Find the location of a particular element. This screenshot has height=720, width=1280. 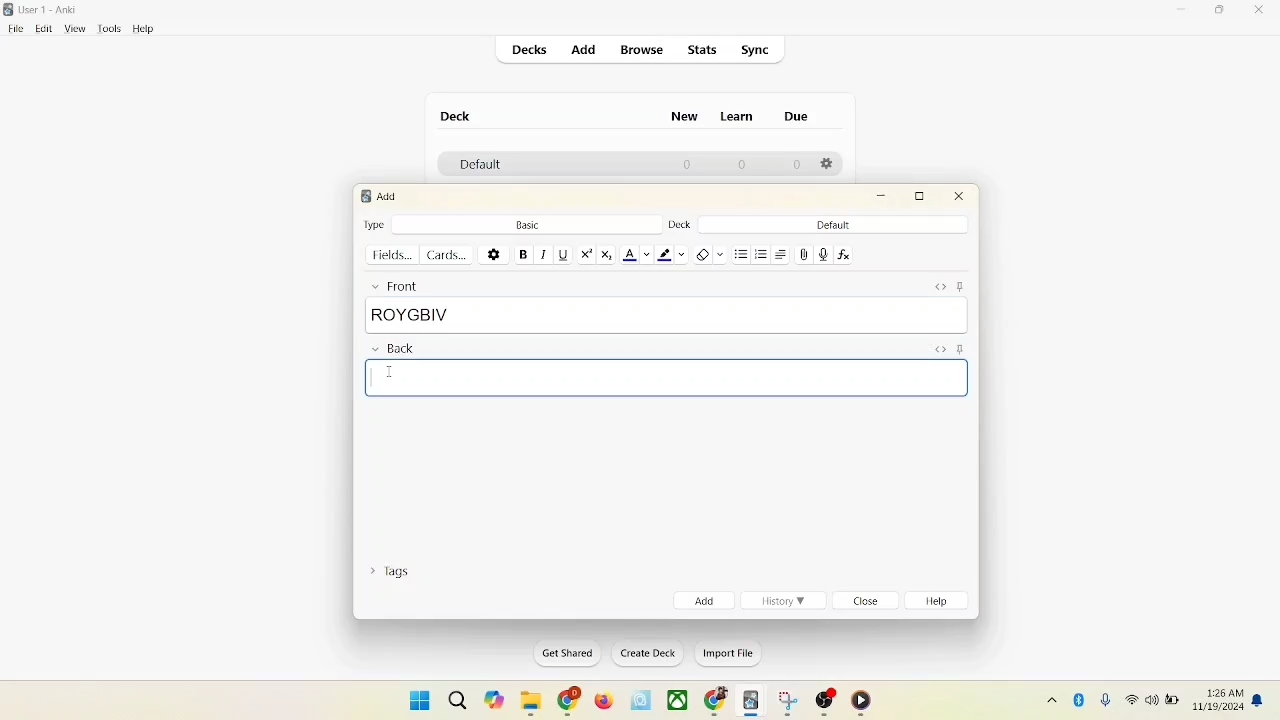

new is located at coordinates (685, 119).